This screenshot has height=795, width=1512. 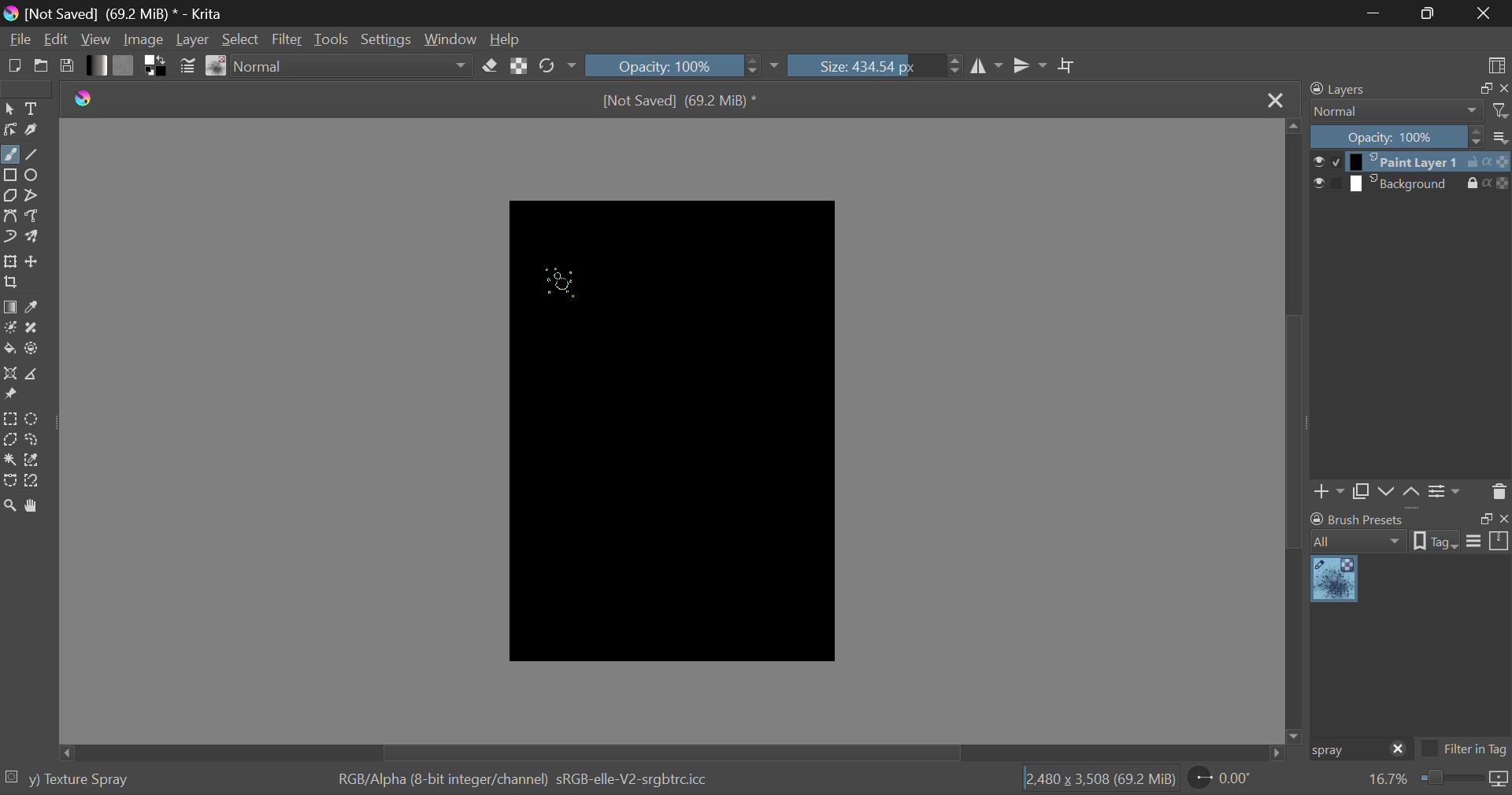 I want to click on Brush Preset Search: "spray", so click(x=1346, y=750).